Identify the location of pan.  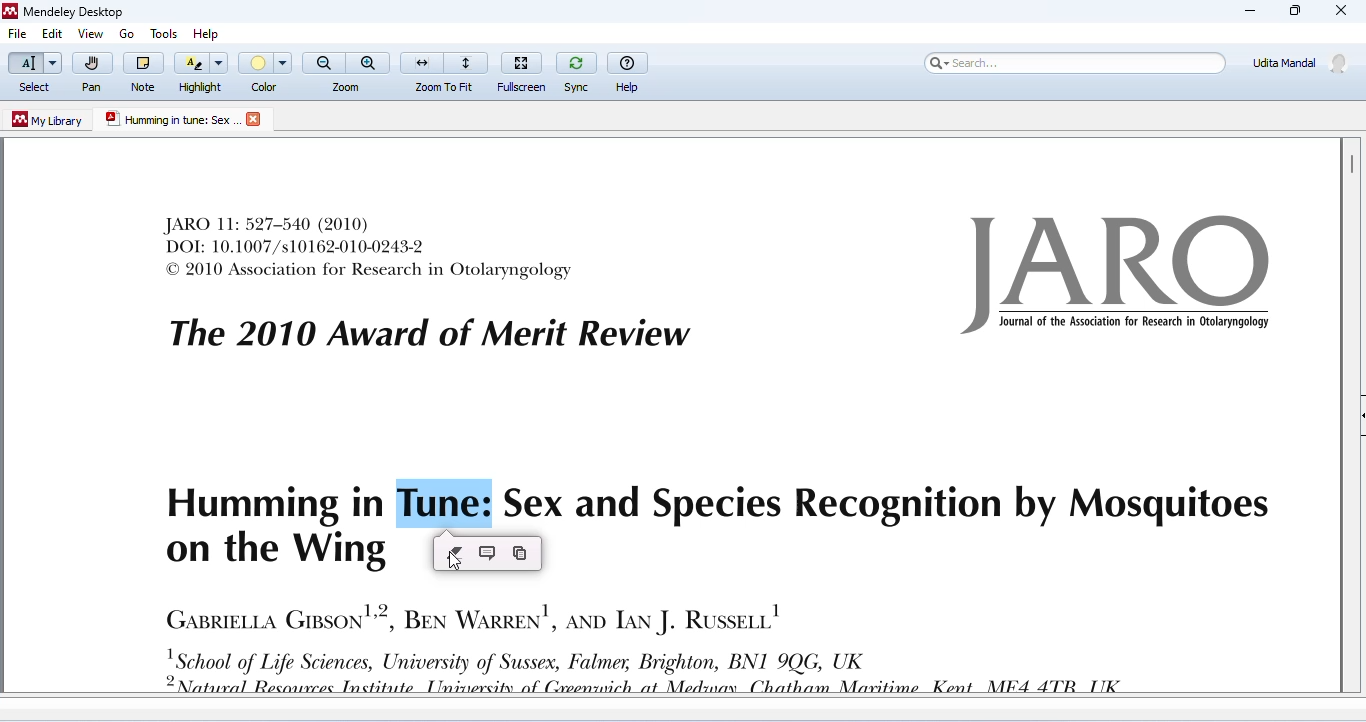
(91, 73).